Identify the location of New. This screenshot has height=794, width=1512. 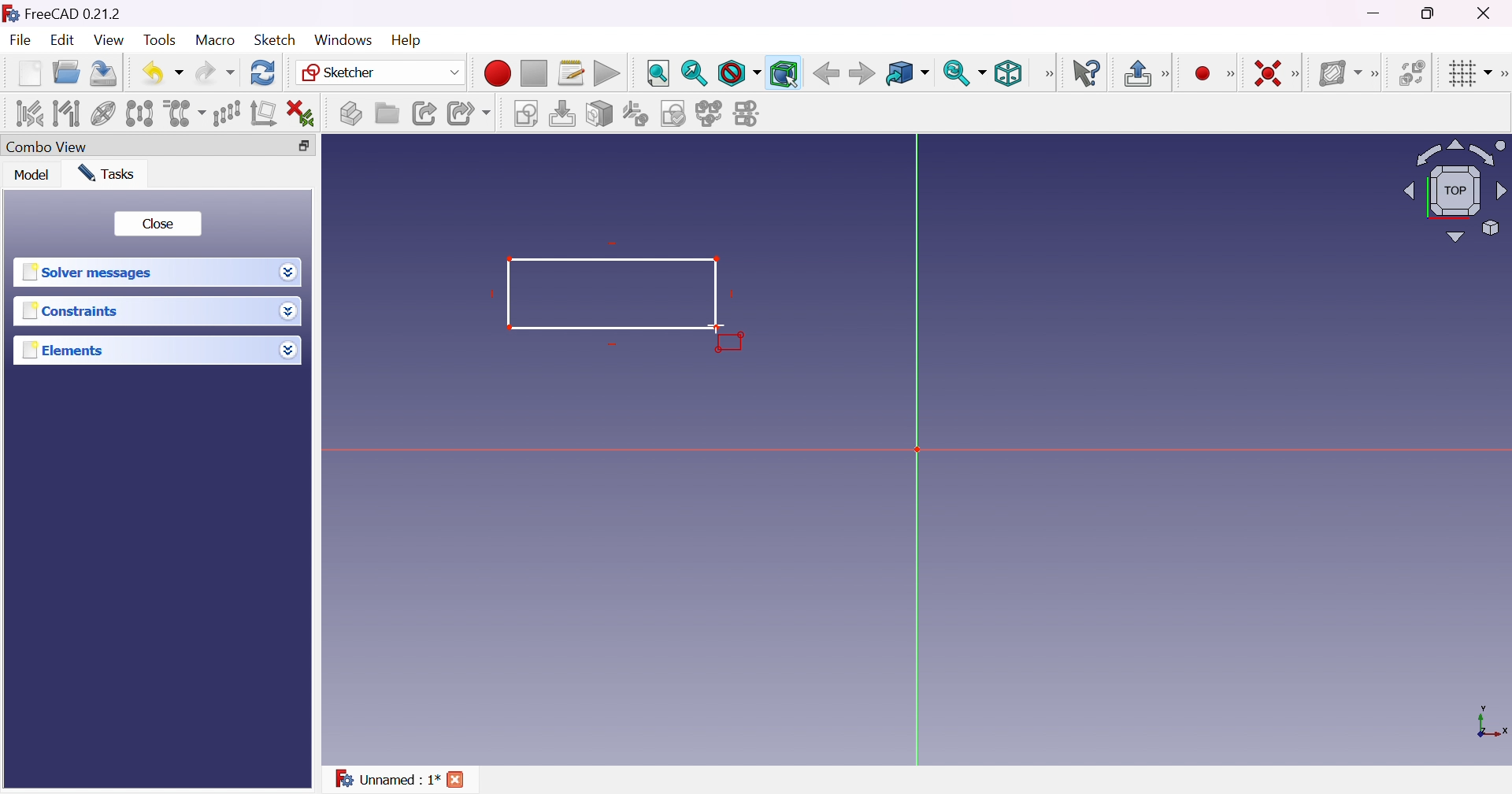
(29, 73).